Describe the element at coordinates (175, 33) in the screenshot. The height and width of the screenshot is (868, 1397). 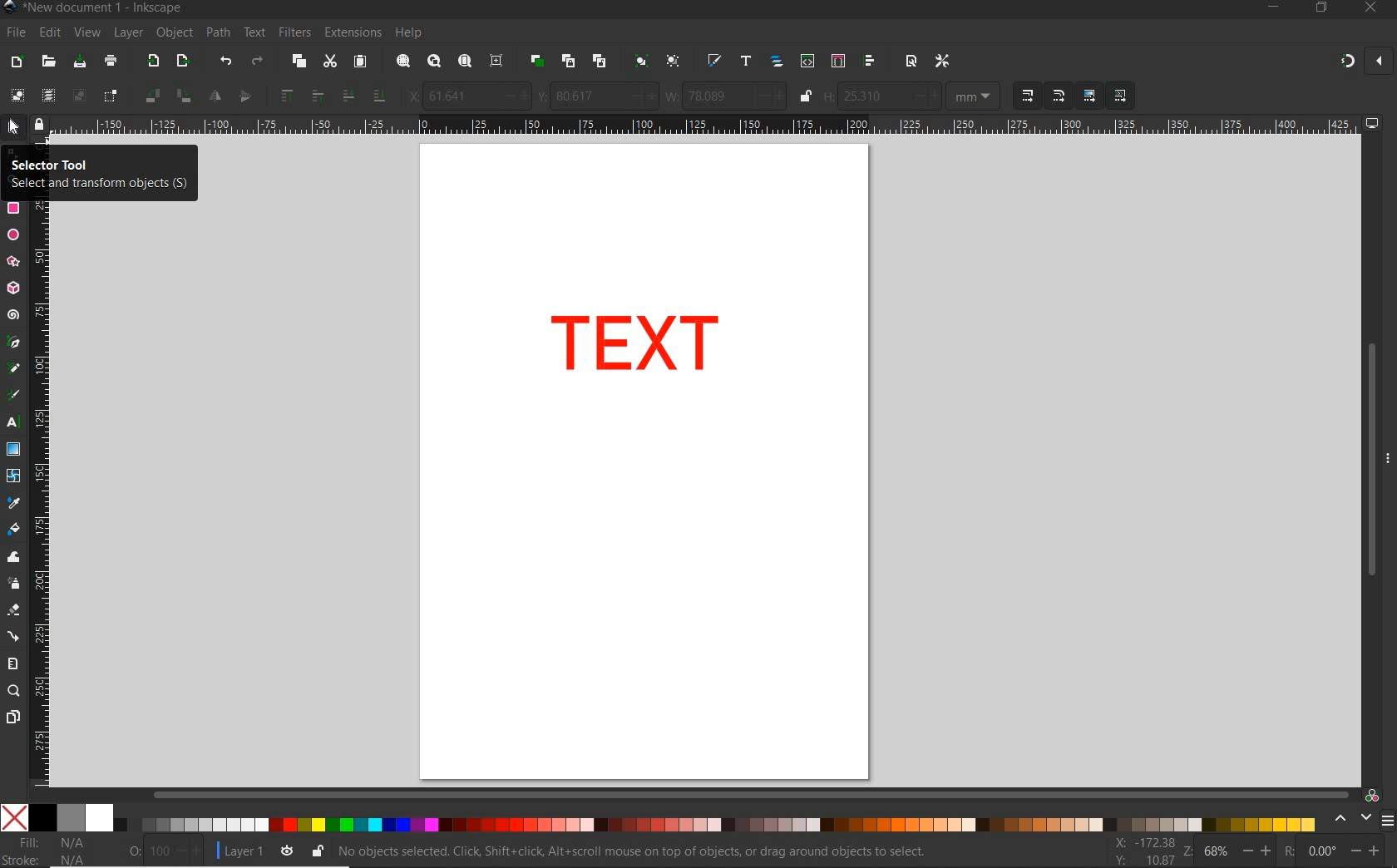
I see `object` at that location.